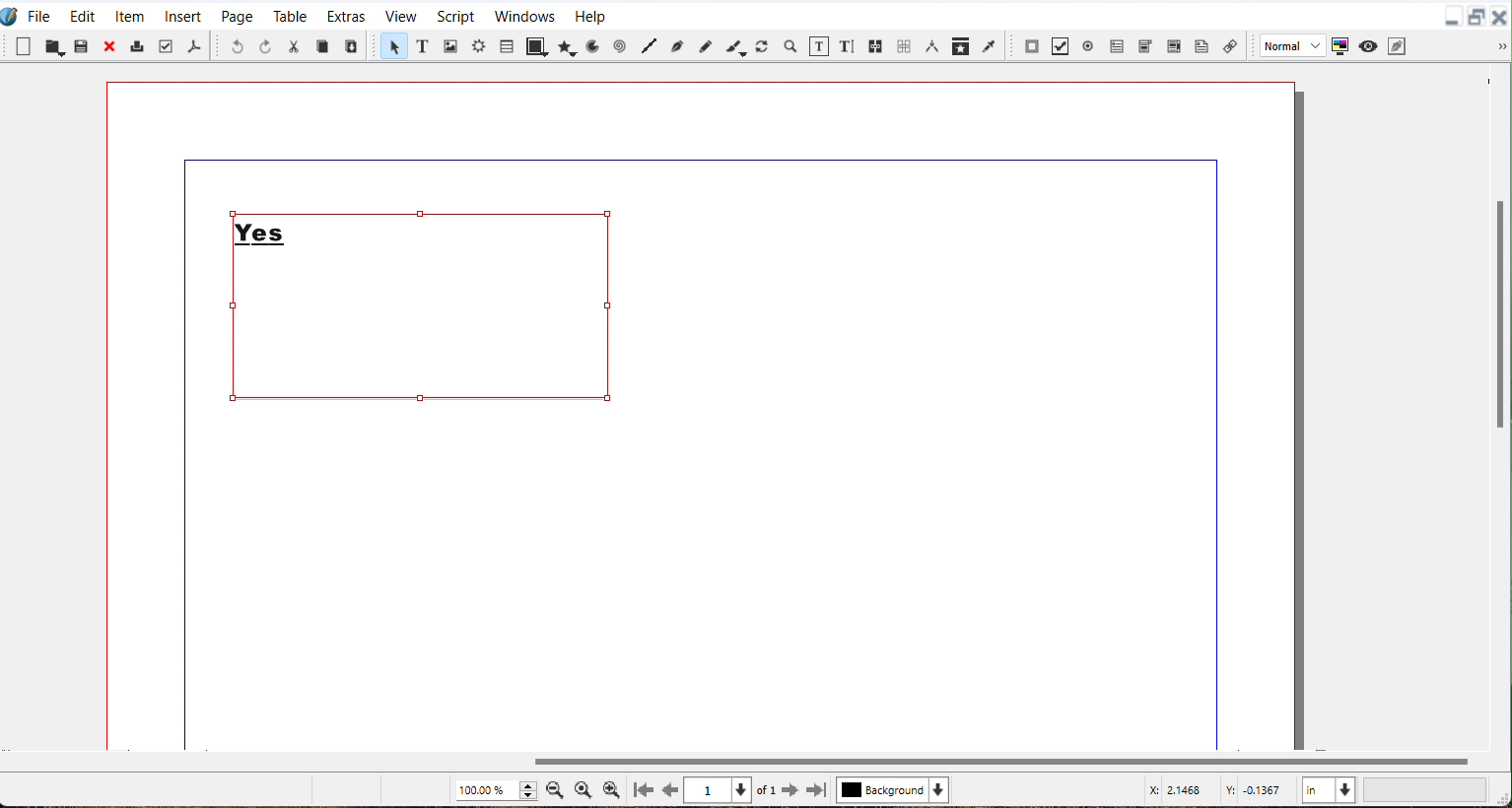 The width and height of the screenshot is (1512, 808). I want to click on Measurement in Inches, so click(1329, 788).